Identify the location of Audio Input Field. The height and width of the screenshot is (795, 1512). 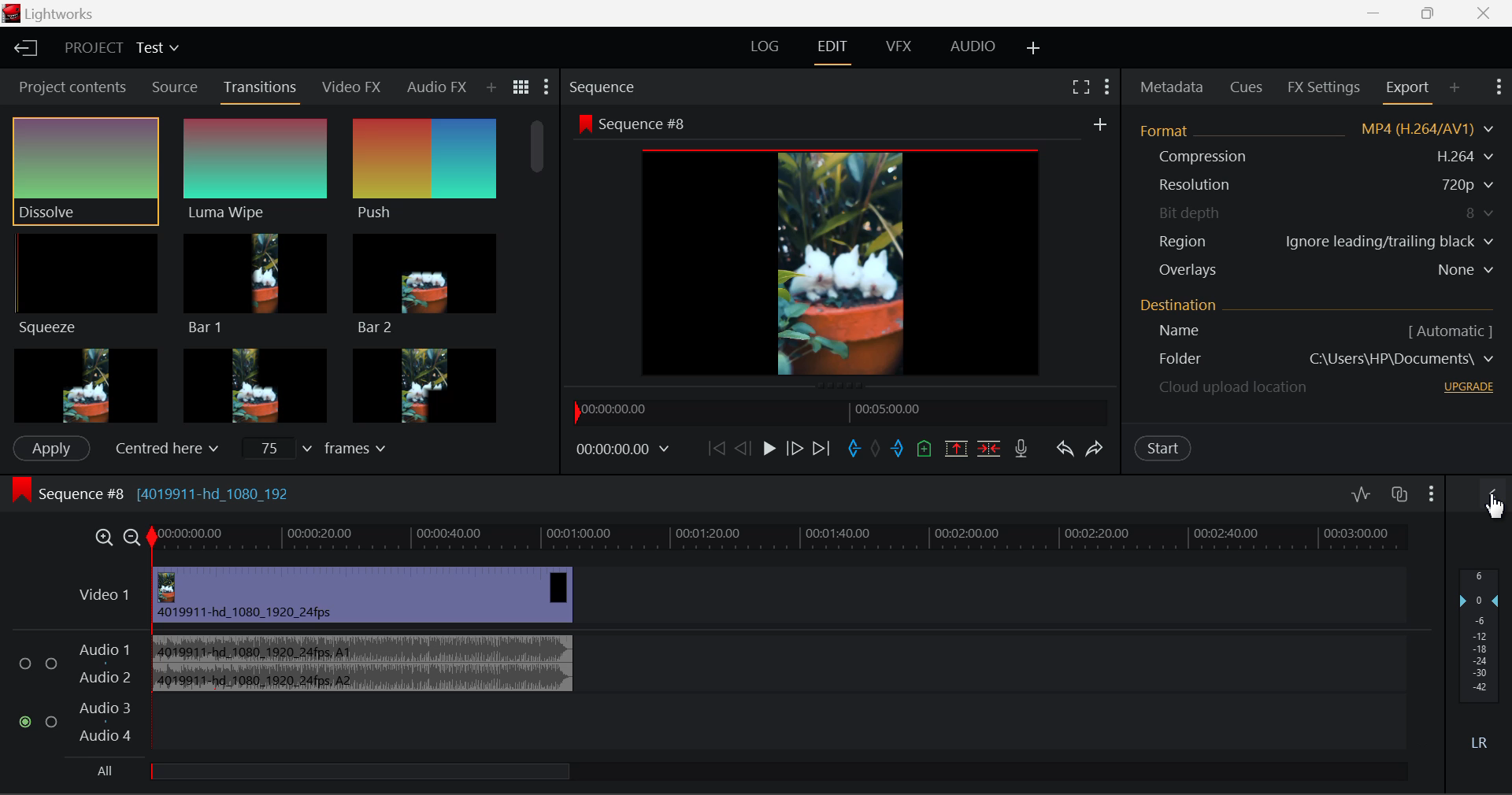
(705, 693).